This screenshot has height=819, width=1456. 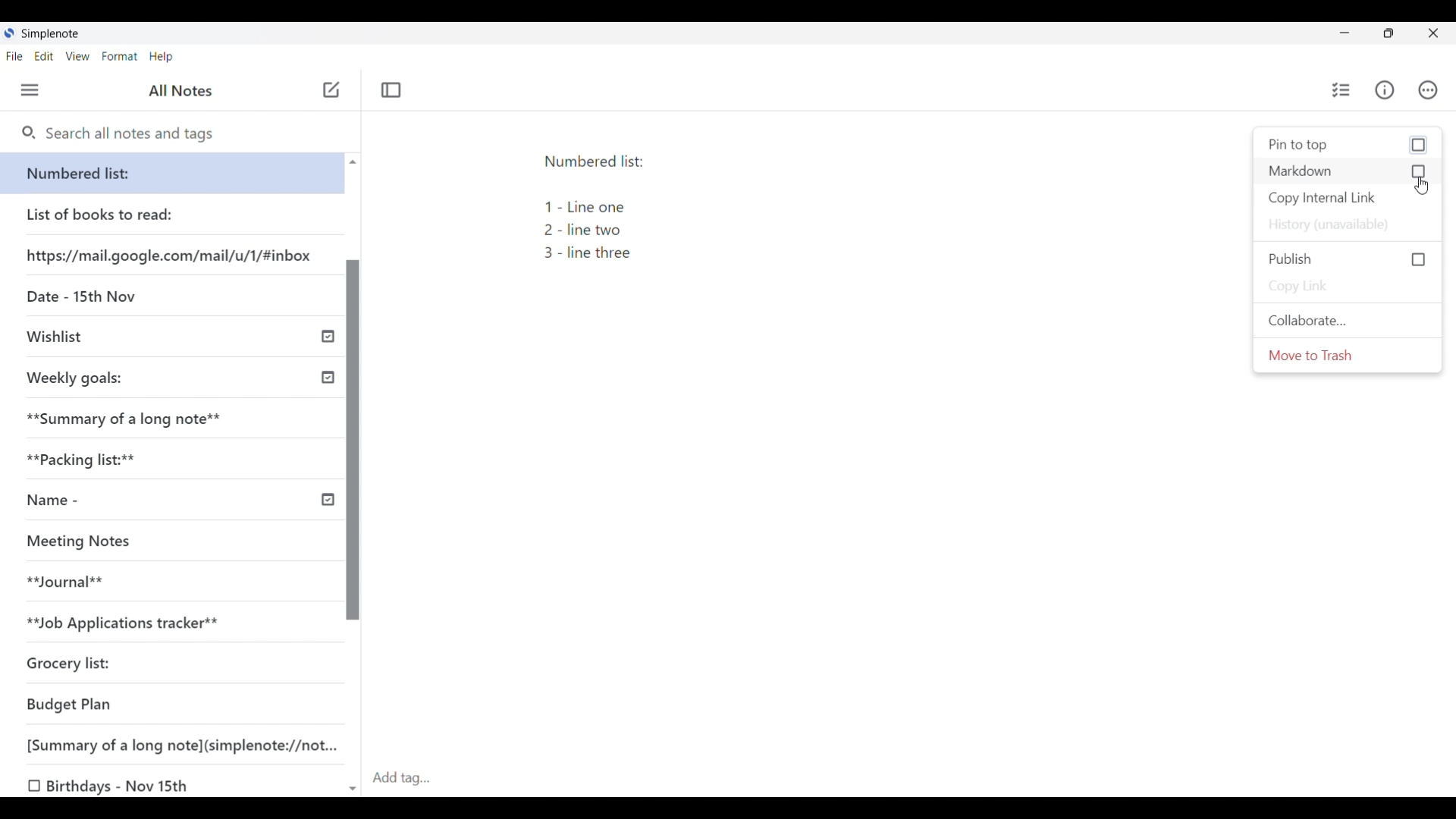 What do you see at coordinates (1345, 33) in the screenshot?
I see `Minimize` at bounding box center [1345, 33].